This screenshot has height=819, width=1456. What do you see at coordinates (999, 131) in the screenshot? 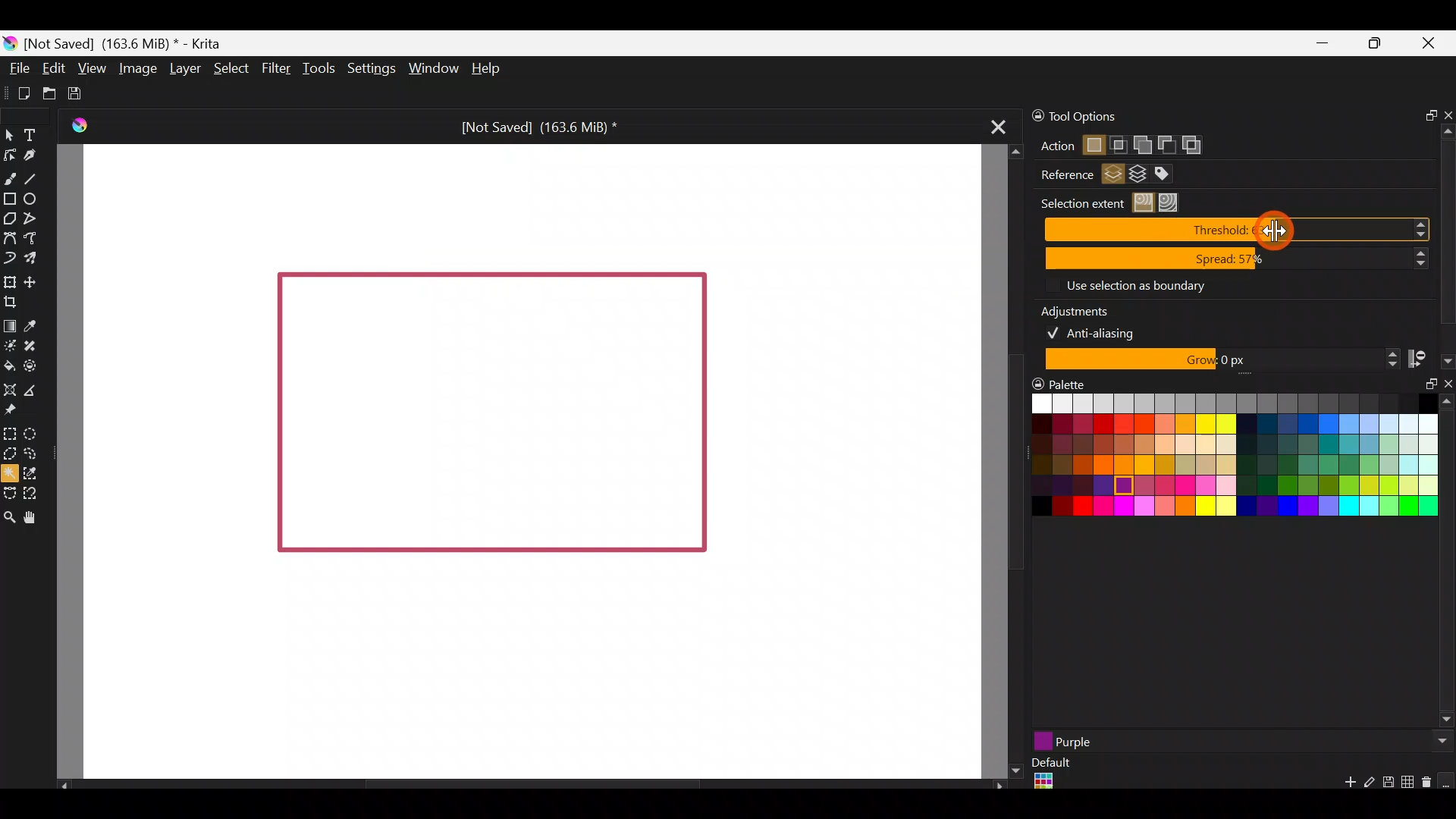
I see `Close tab` at bounding box center [999, 131].